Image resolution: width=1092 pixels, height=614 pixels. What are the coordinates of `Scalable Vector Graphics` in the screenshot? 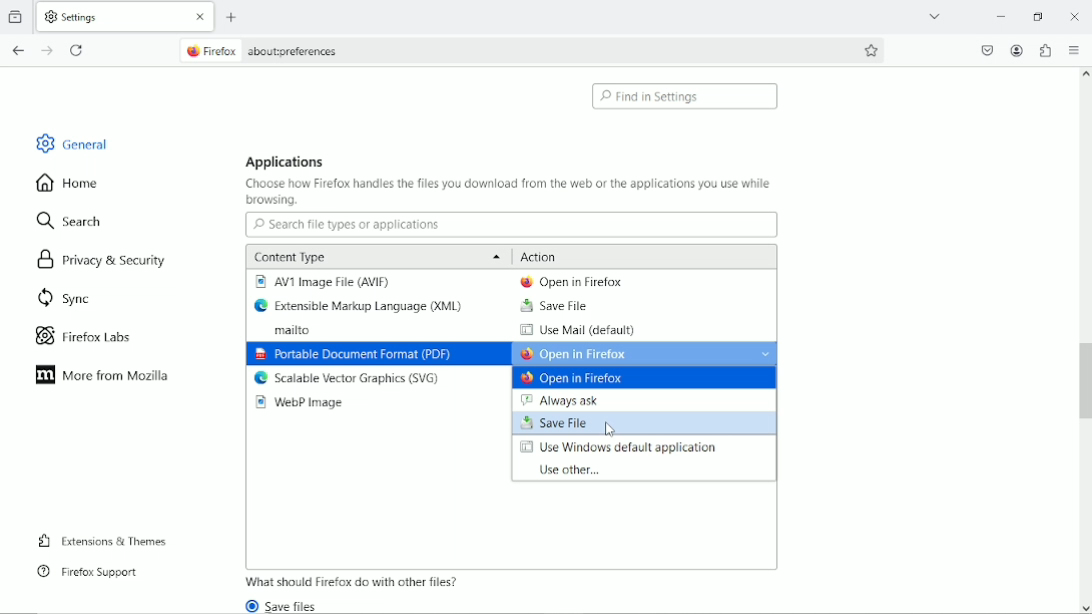 It's located at (348, 379).